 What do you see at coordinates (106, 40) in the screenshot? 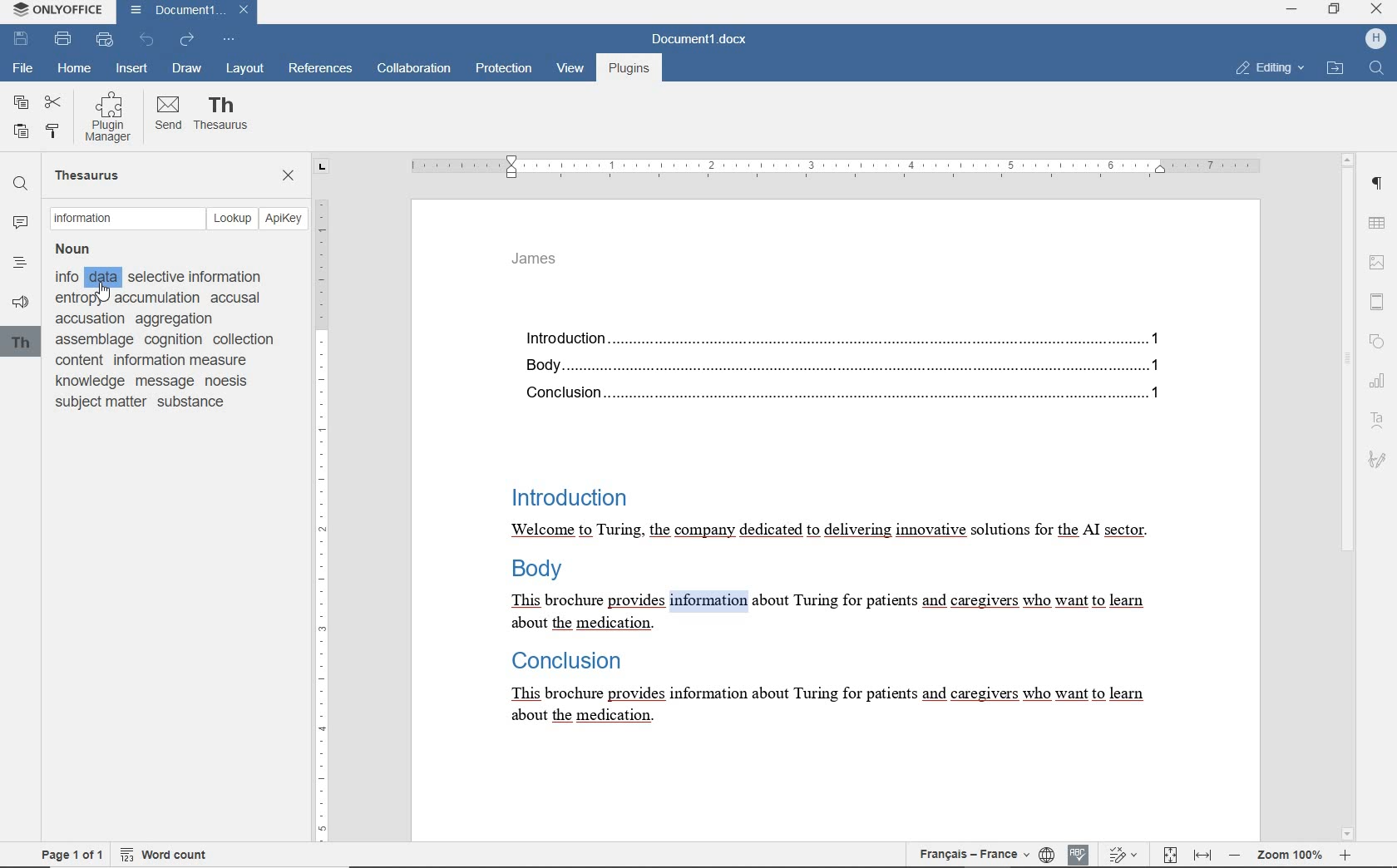
I see `QUICK PRINT` at bounding box center [106, 40].